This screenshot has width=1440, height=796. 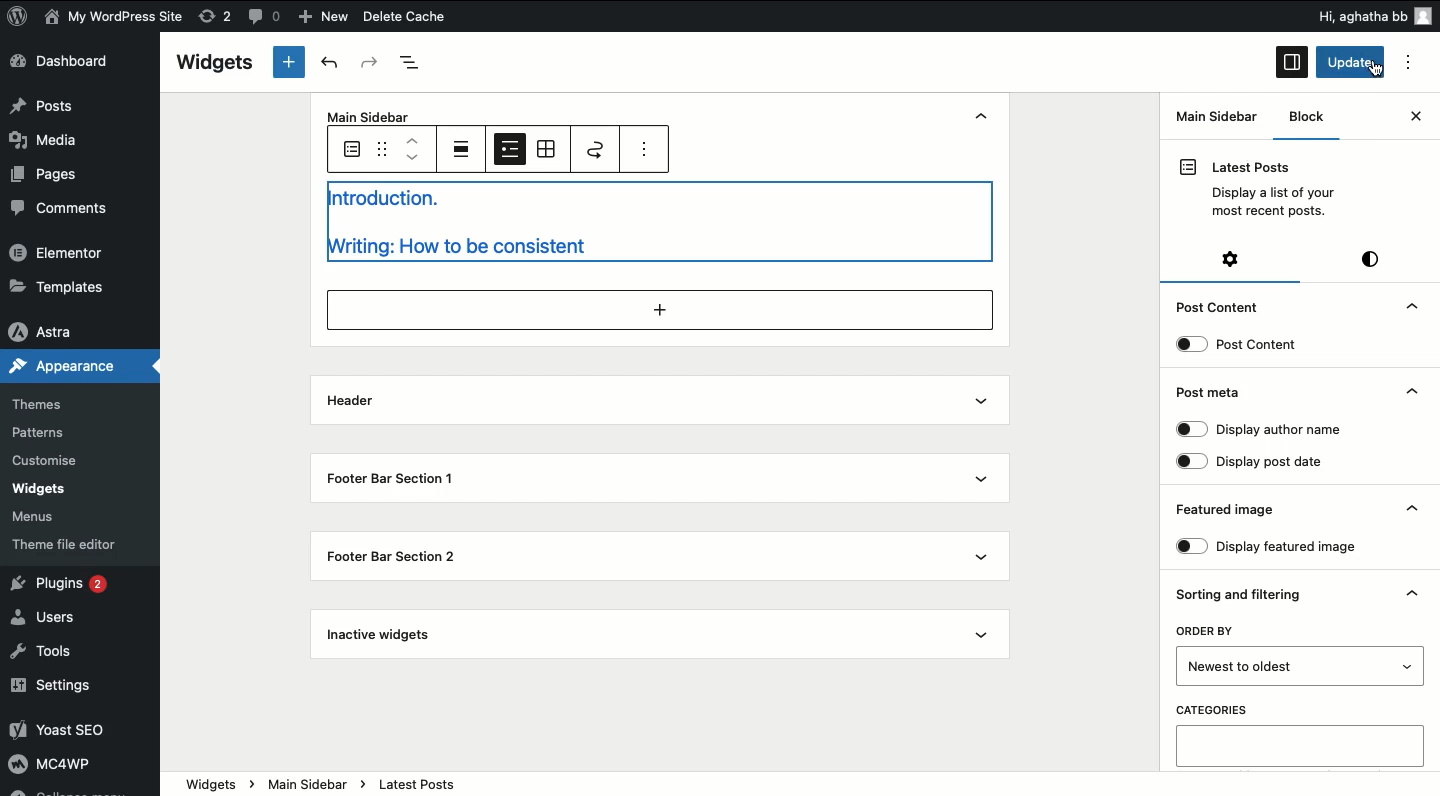 I want to click on ‘Menus, so click(x=39, y=515).